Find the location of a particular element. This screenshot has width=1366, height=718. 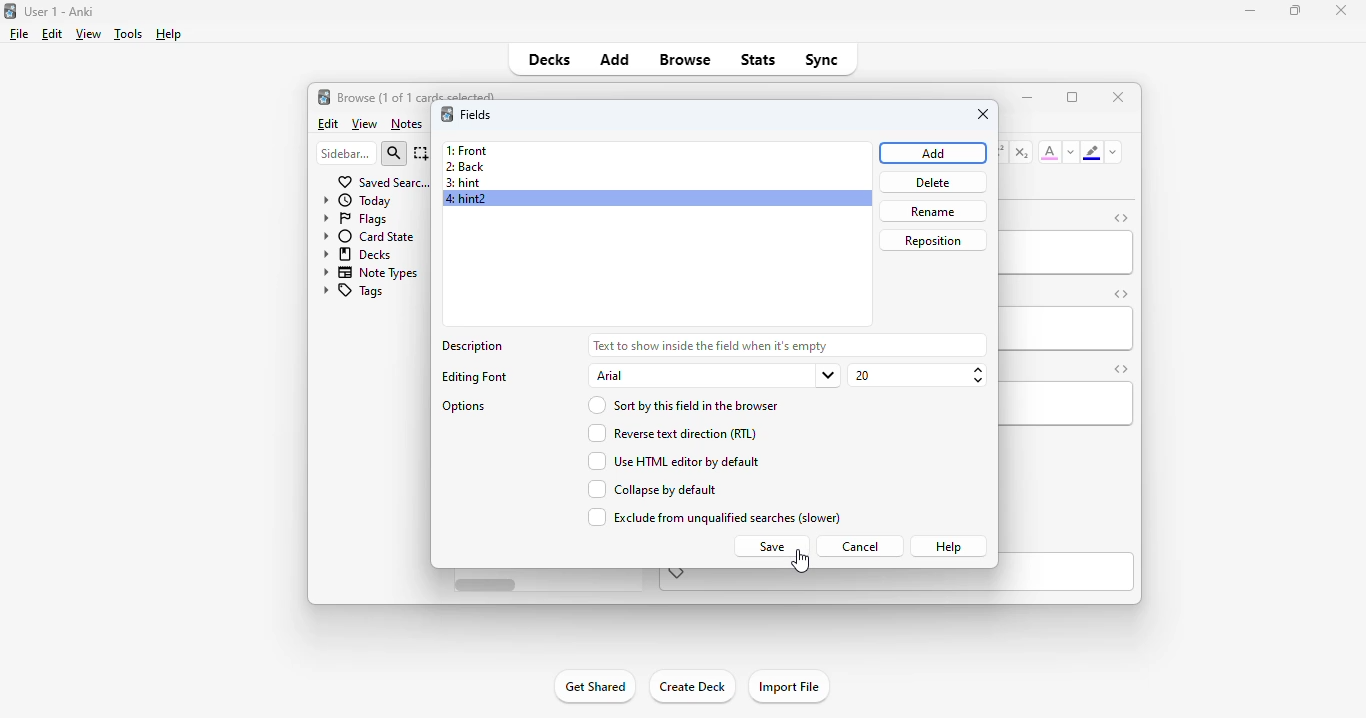

edit is located at coordinates (329, 124).